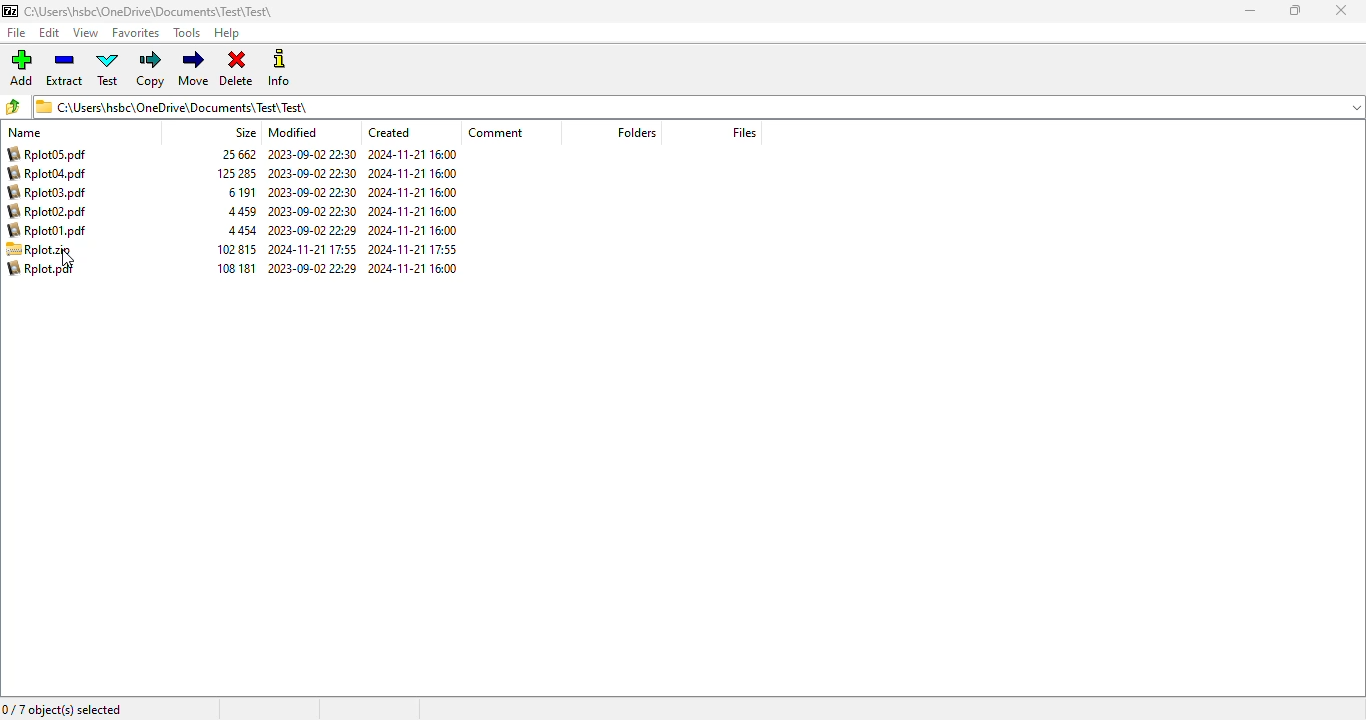 The image size is (1366, 720). Describe the element at coordinates (389, 132) in the screenshot. I see `created` at that location.